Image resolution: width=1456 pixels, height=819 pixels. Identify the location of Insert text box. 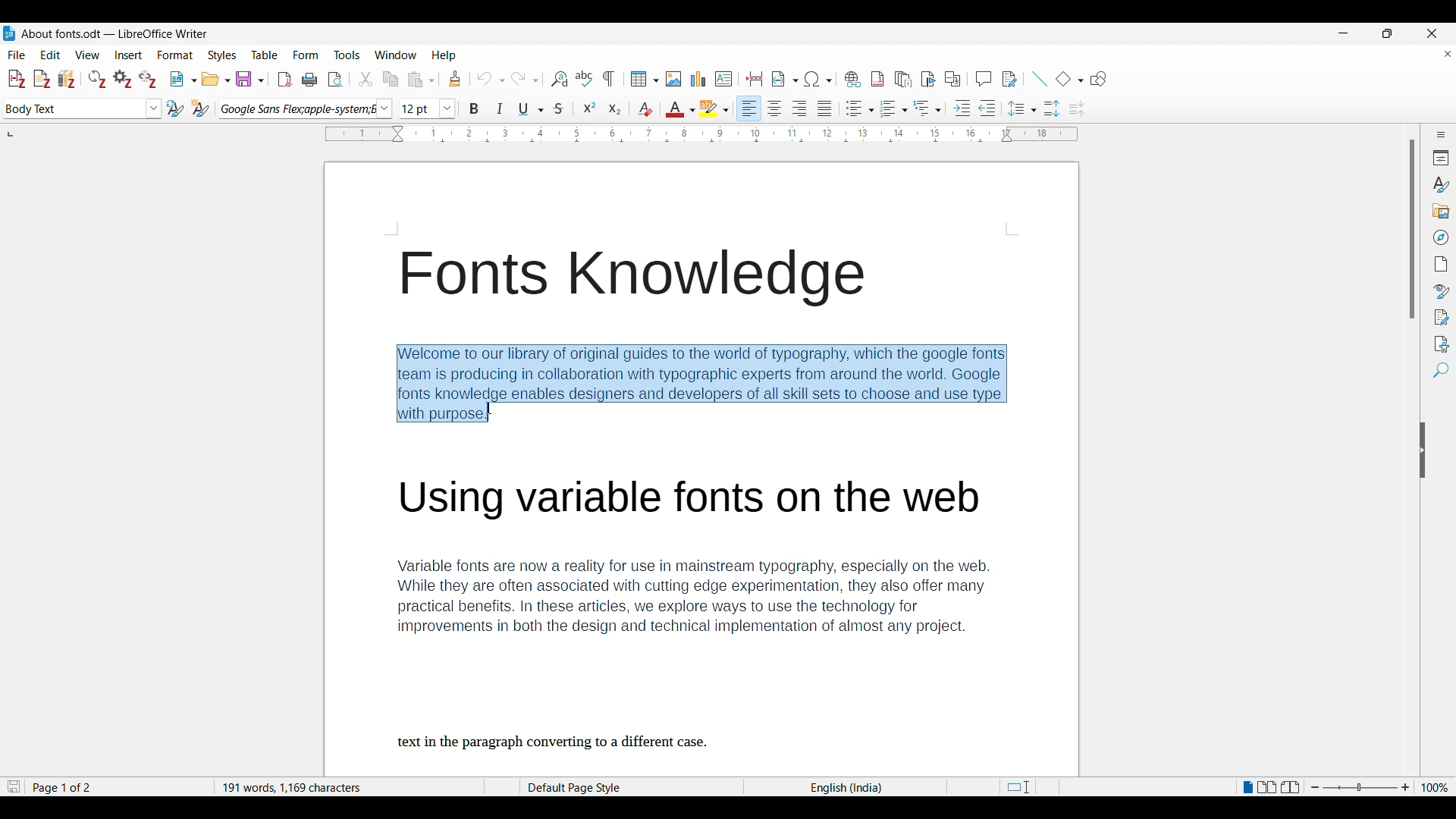
(723, 79).